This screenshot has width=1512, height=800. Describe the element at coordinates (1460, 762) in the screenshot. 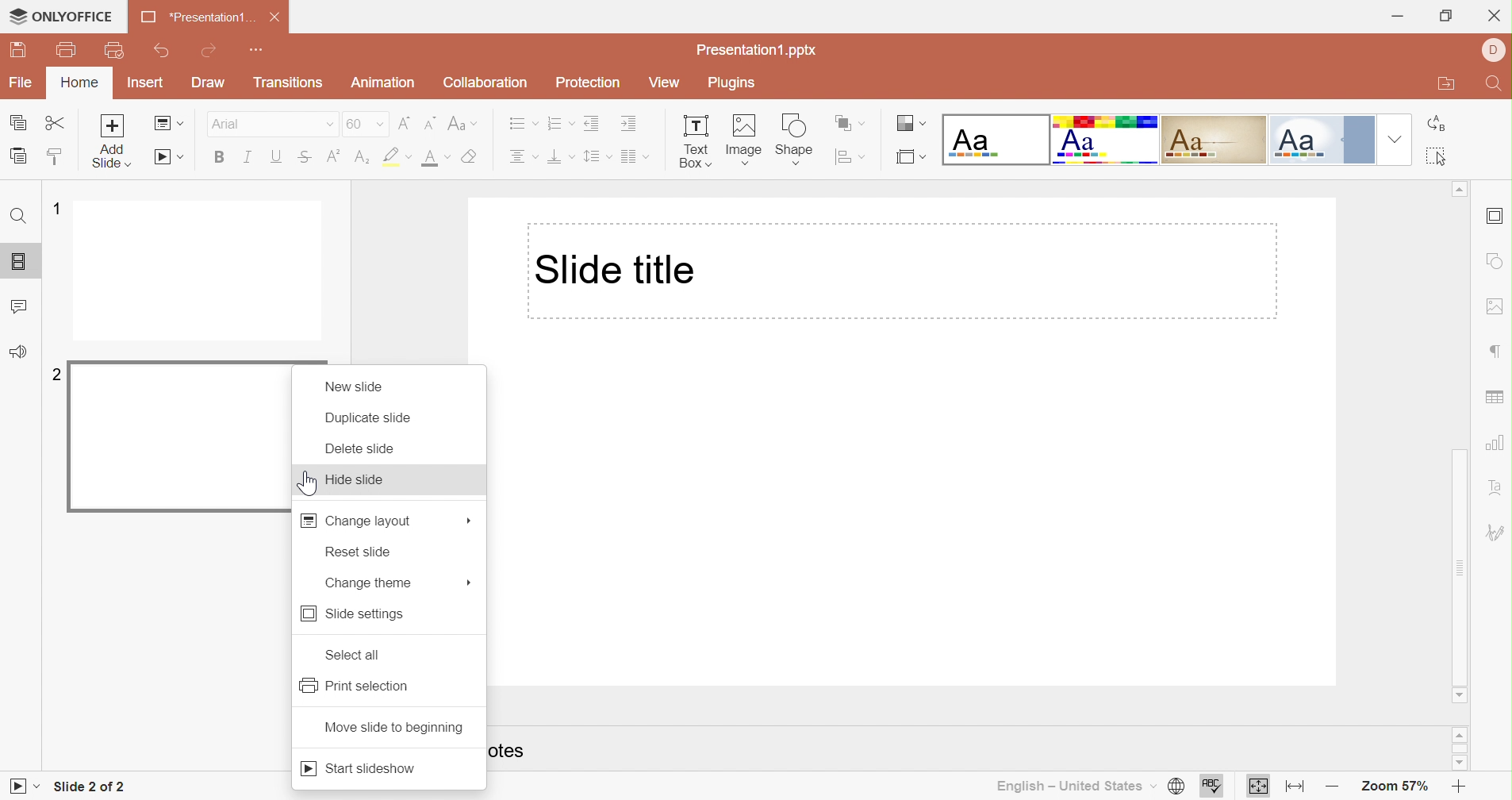

I see `Scroll Down` at that location.